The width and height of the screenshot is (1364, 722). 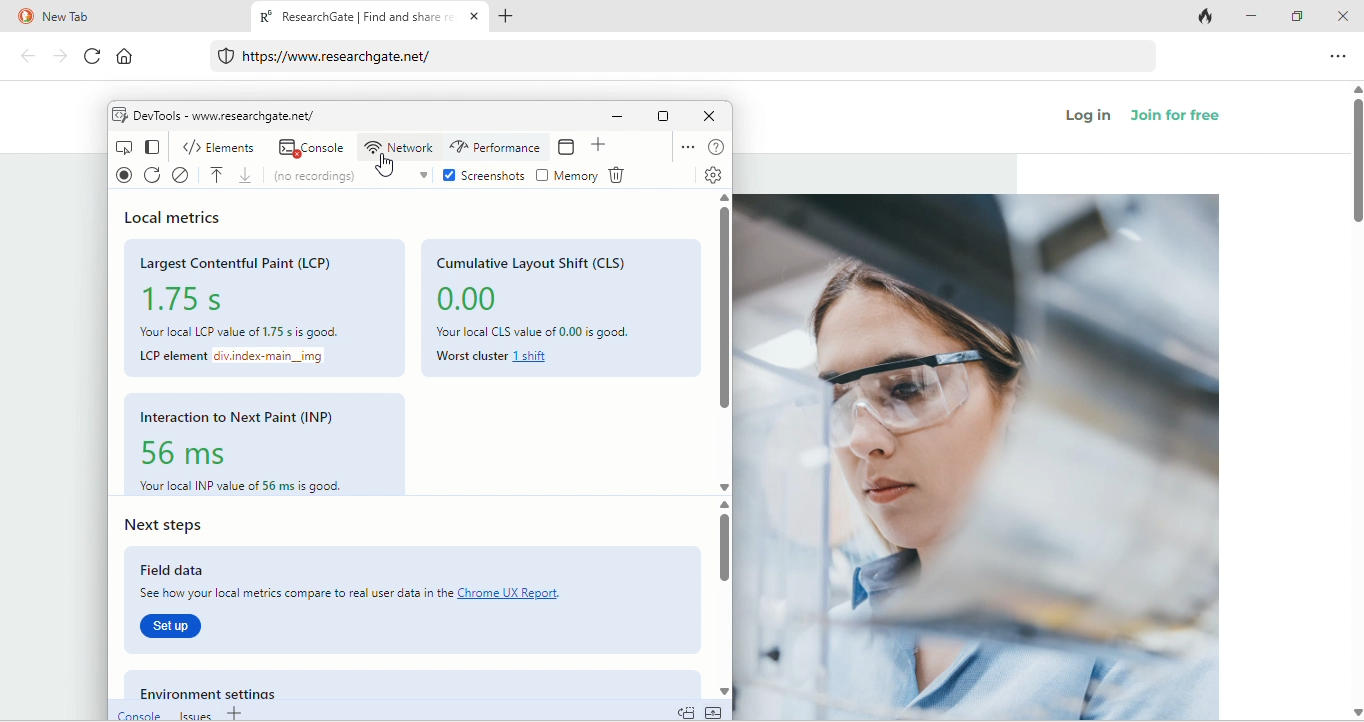 I want to click on record, so click(x=120, y=177).